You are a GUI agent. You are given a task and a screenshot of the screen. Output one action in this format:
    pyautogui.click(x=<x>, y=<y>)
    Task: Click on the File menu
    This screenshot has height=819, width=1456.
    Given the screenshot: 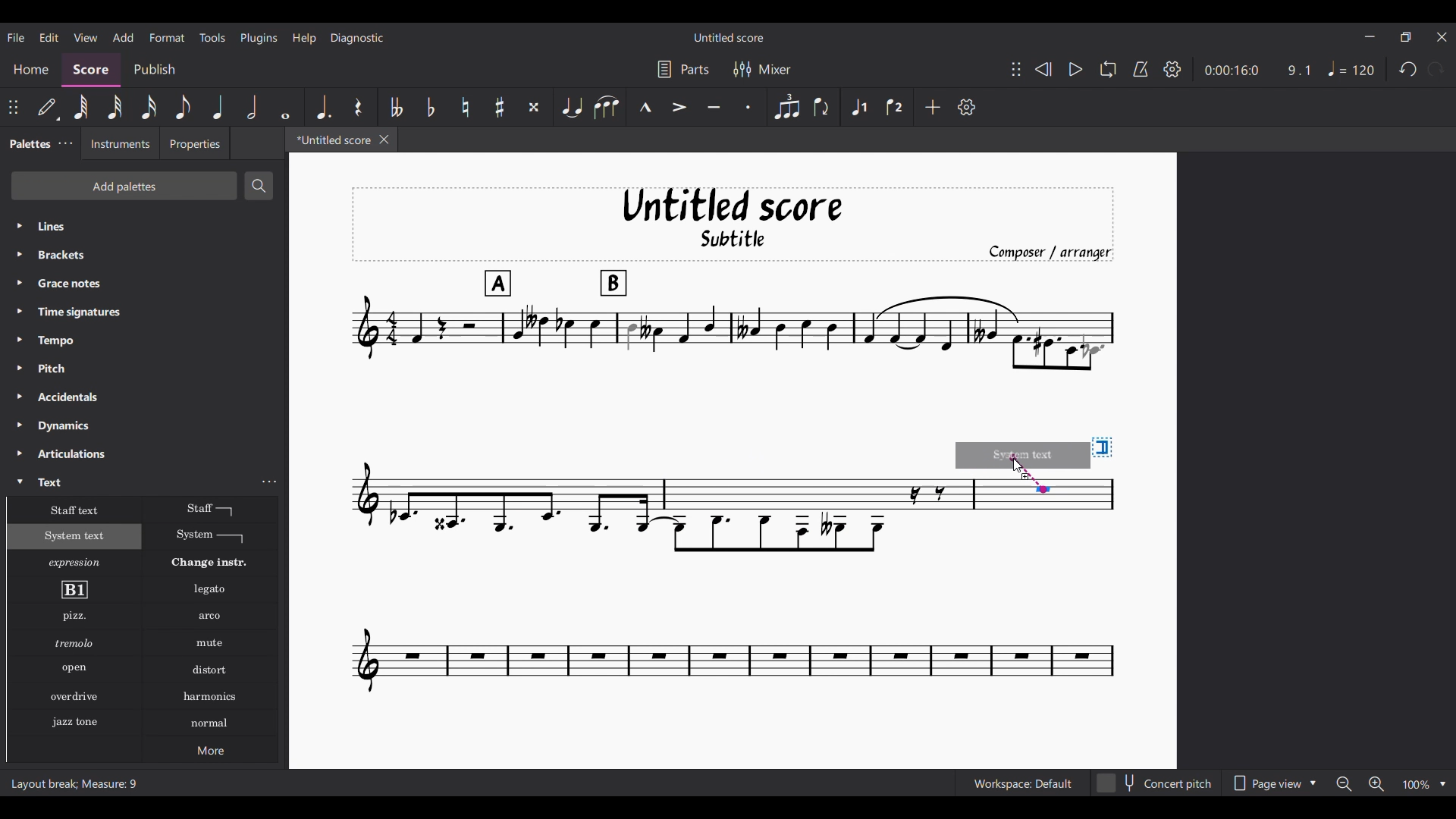 What is the action you would take?
    pyautogui.click(x=16, y=37)
    